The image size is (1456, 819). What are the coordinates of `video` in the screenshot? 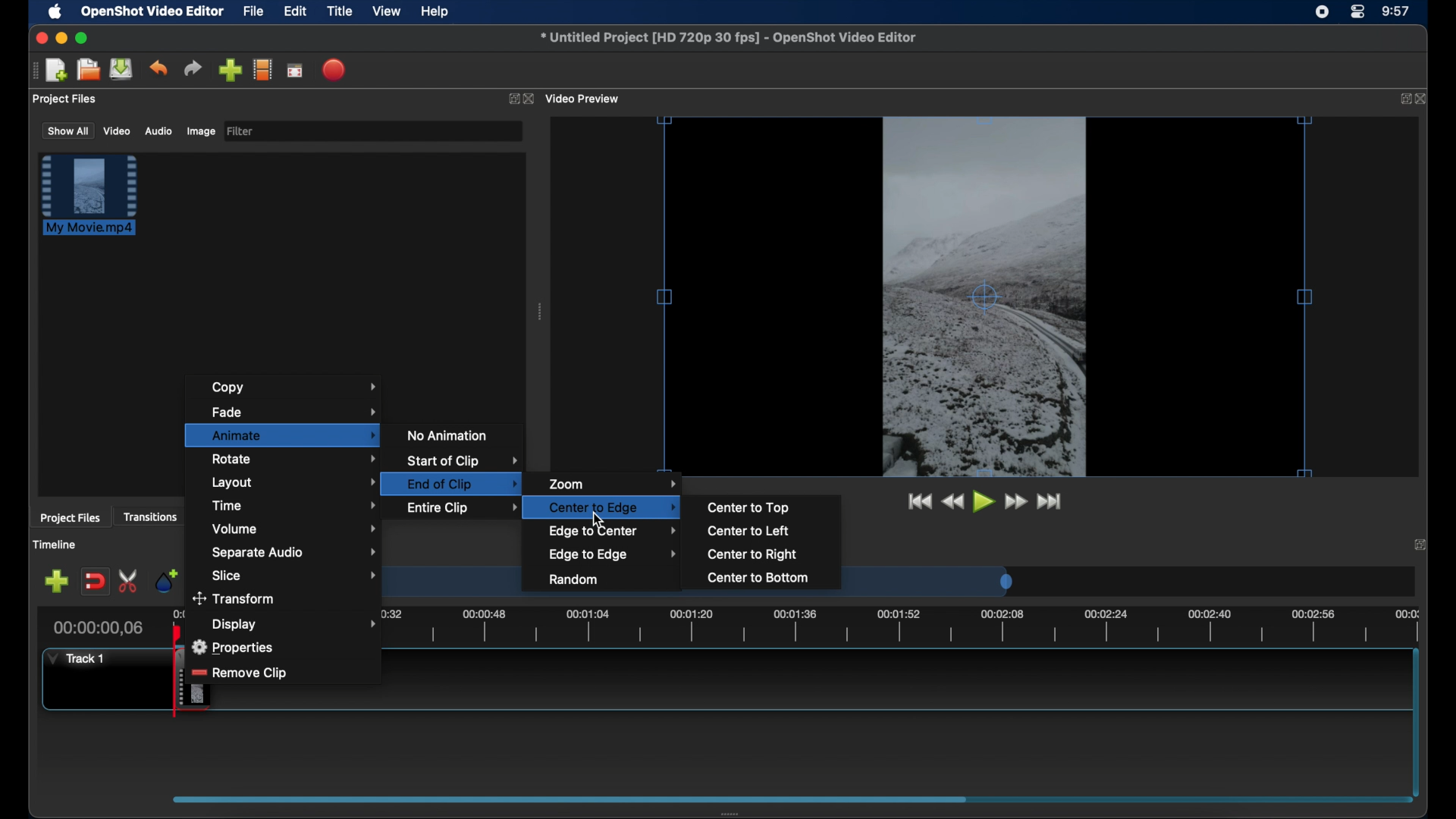 It's located at (118, 130).